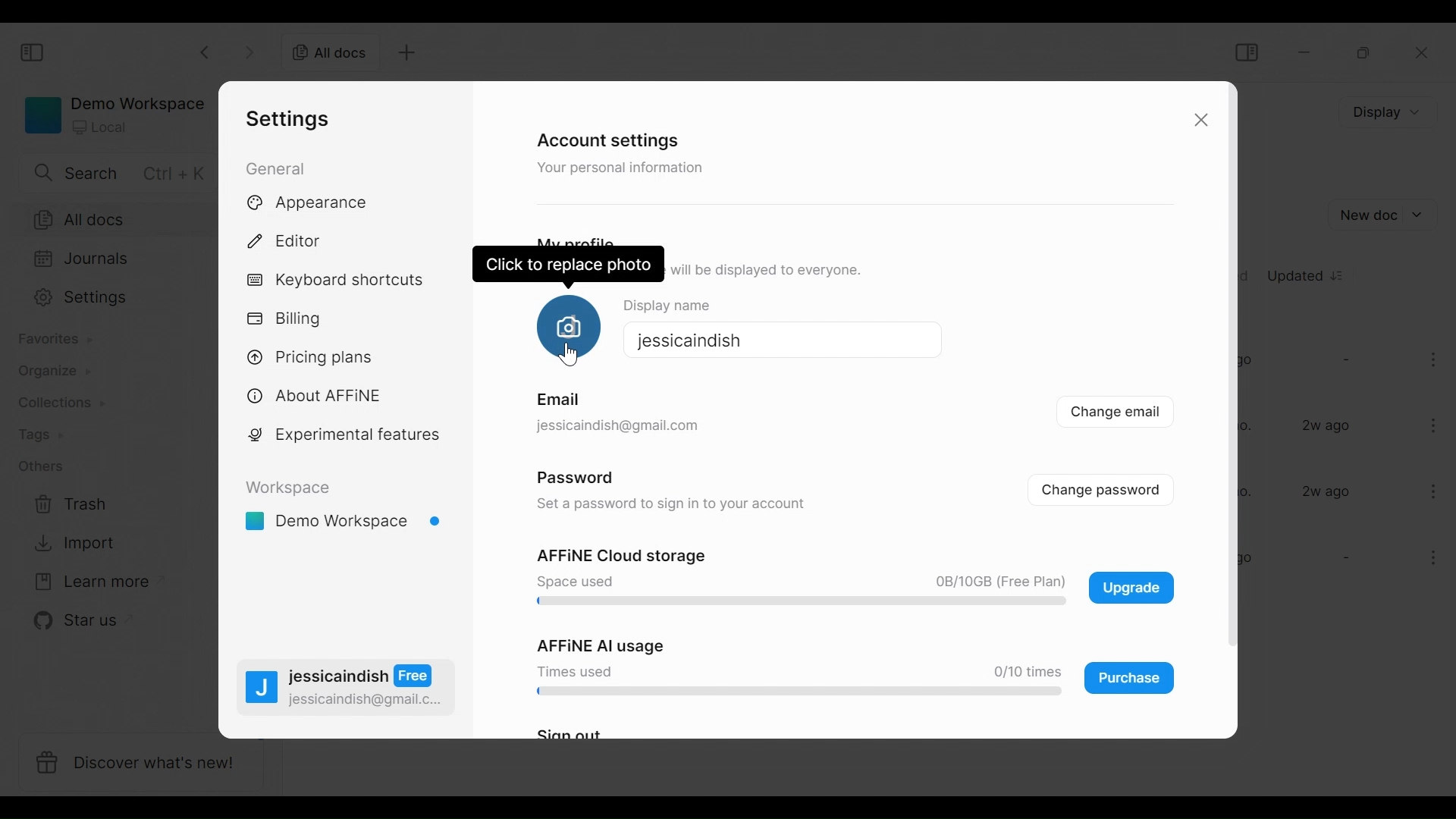 The width and height of the screenshot is (1456, 819). Describe the element at coordinates (121, 260) in the screenshot. I see `Journal` at that location.